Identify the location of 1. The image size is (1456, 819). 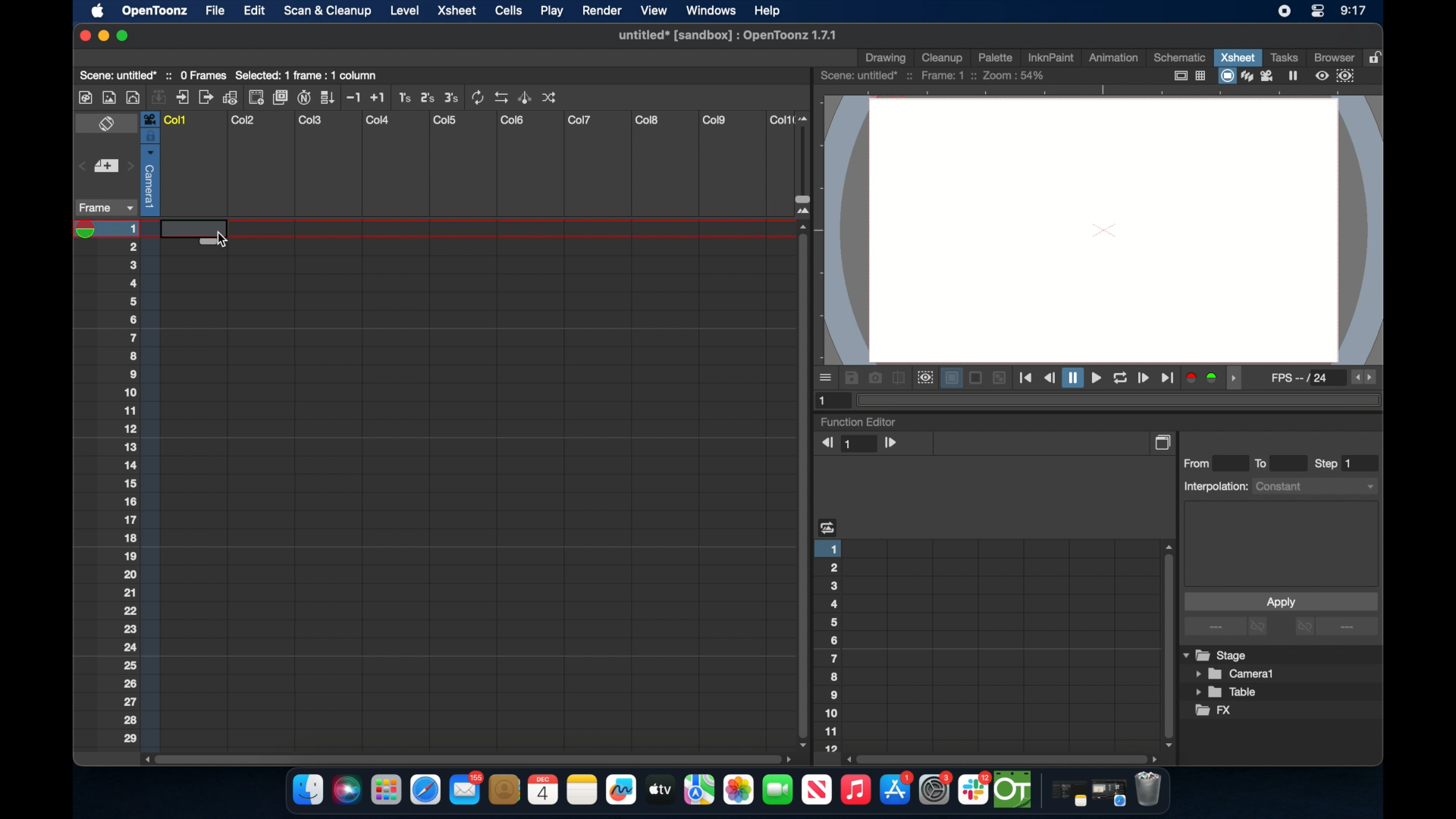
(825, 400).